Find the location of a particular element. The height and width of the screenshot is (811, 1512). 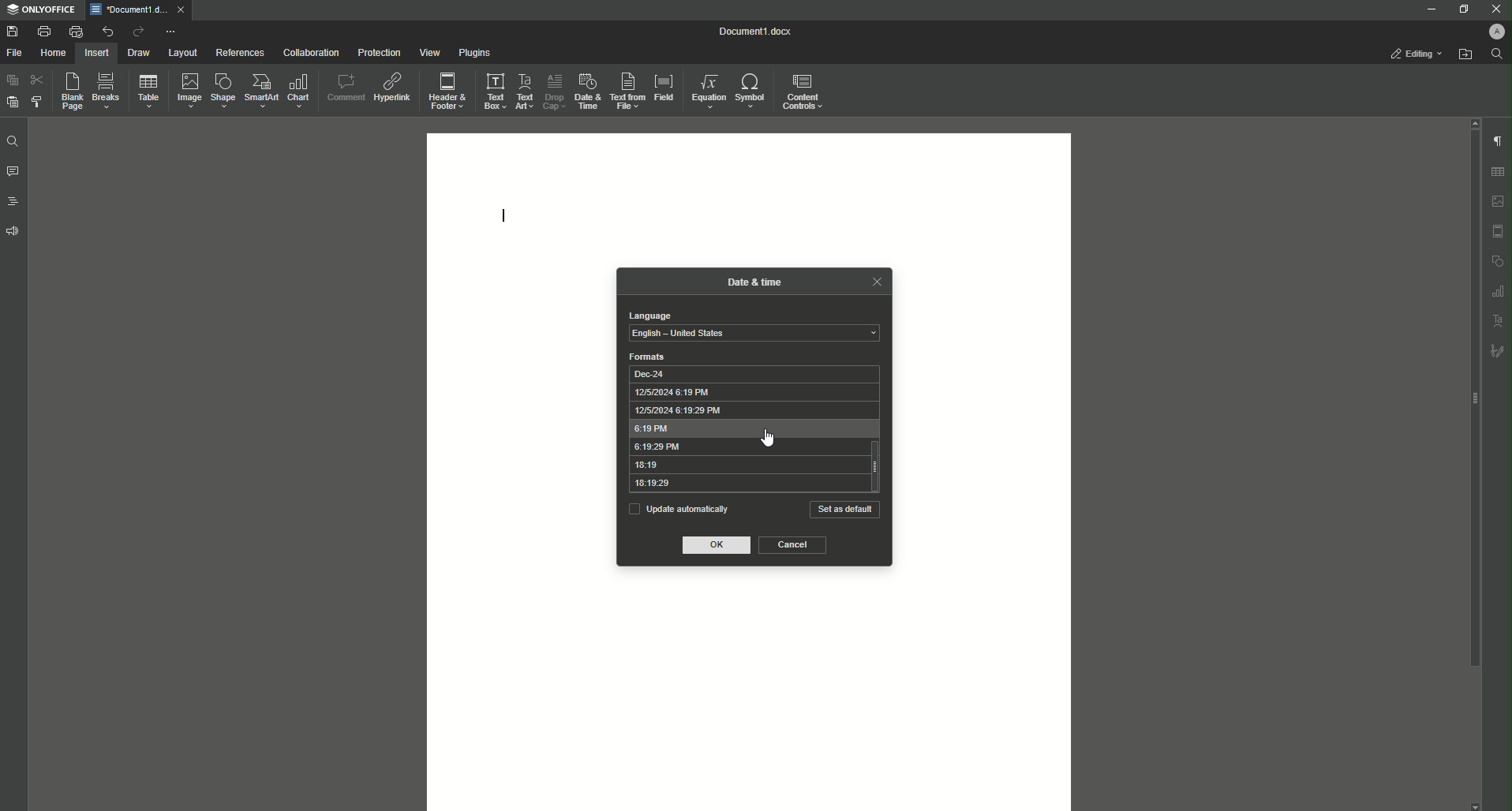

12/5/2024 6:19 PM is located at coordinates (747, 392).